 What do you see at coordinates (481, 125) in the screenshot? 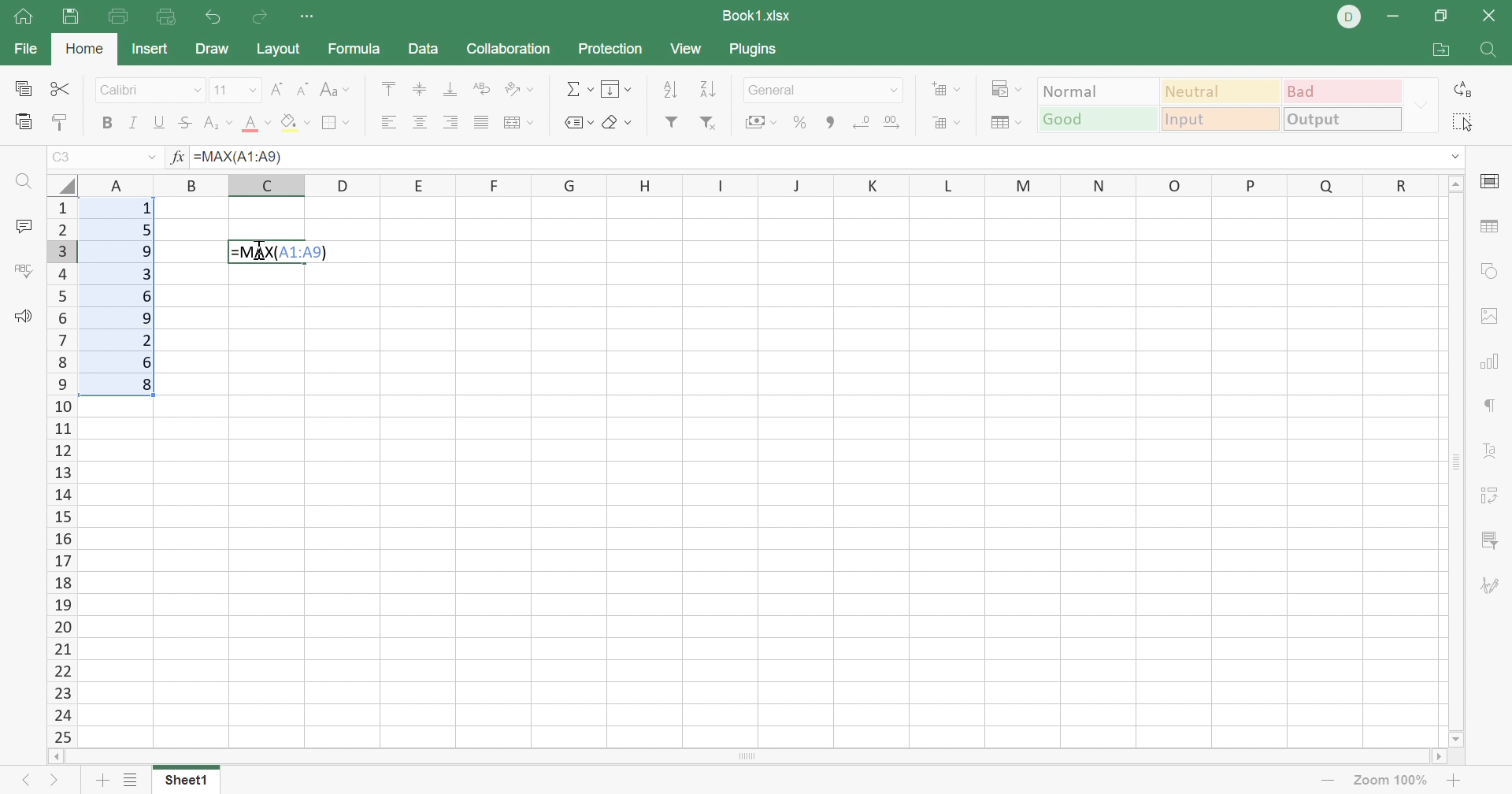
I see `Justified` at bounding box center [481, 125].